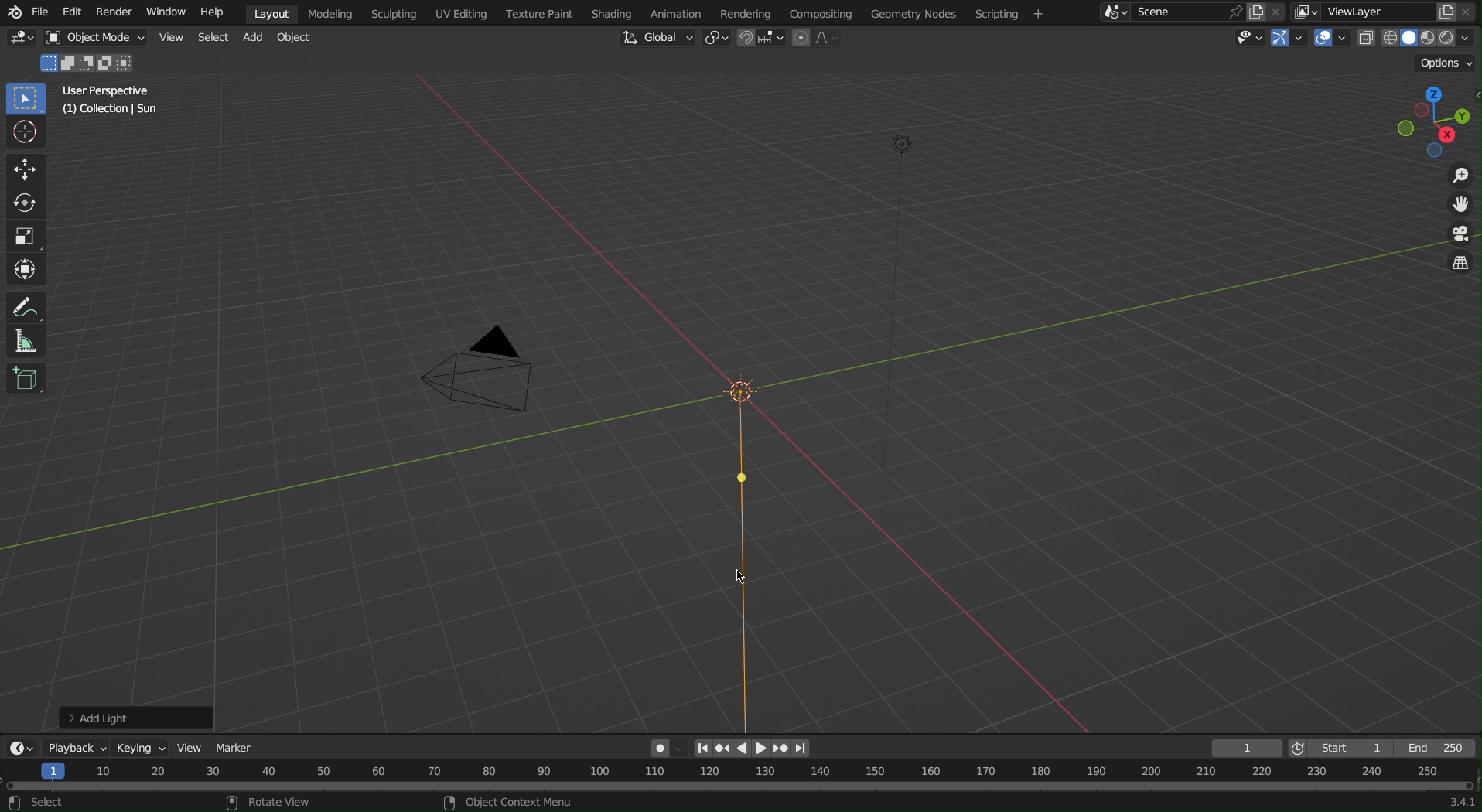 Image resolution: width=1482 pixels, height=812 pixels. Describe the element at coordinates (1279, 11) in the screenshot. I see `close` at that location.